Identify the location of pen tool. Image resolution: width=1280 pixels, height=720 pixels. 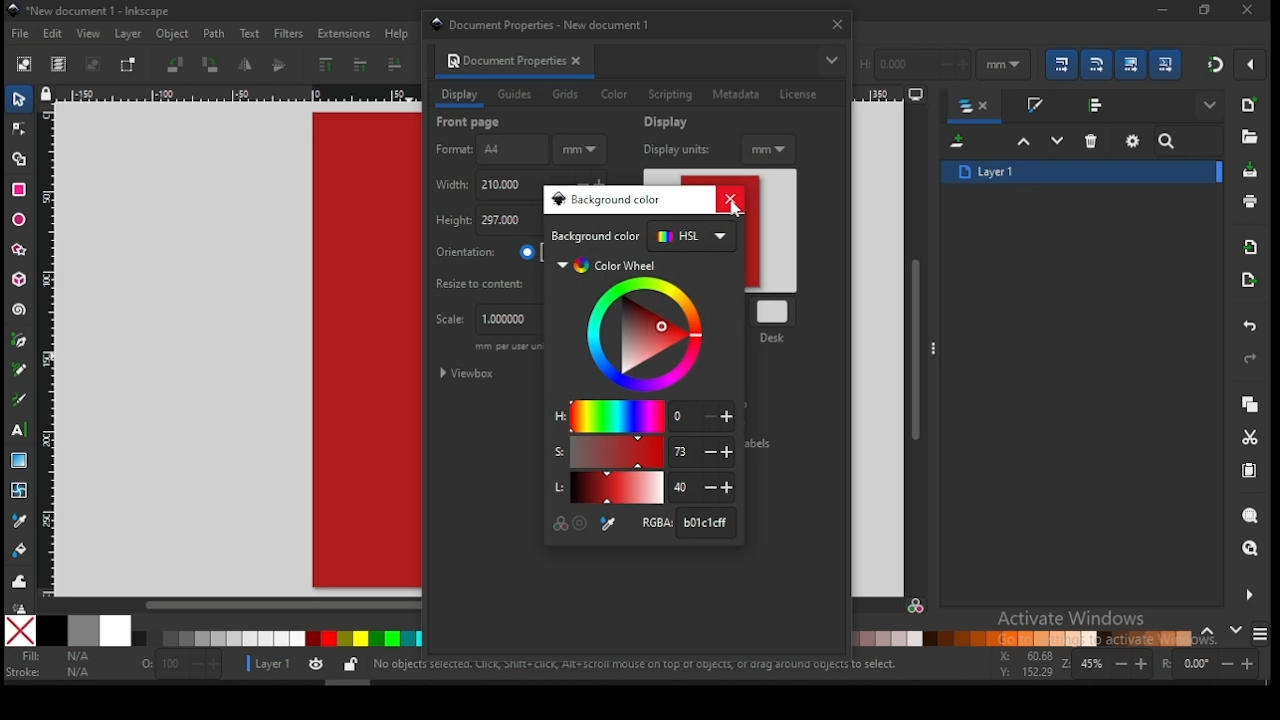
(20, 341).